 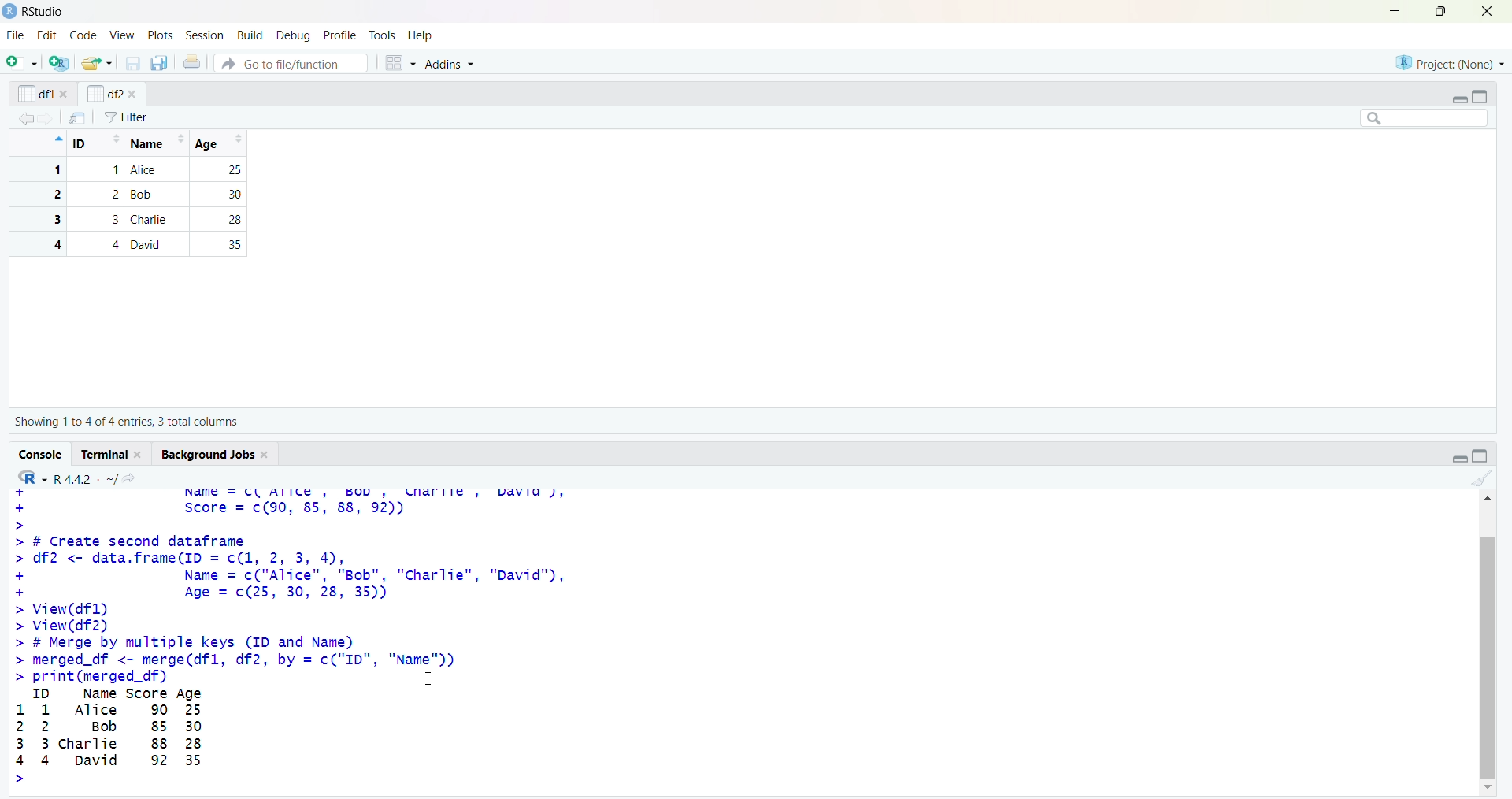 I want to click on Collapse/expand , so click(x=1459, y=459).